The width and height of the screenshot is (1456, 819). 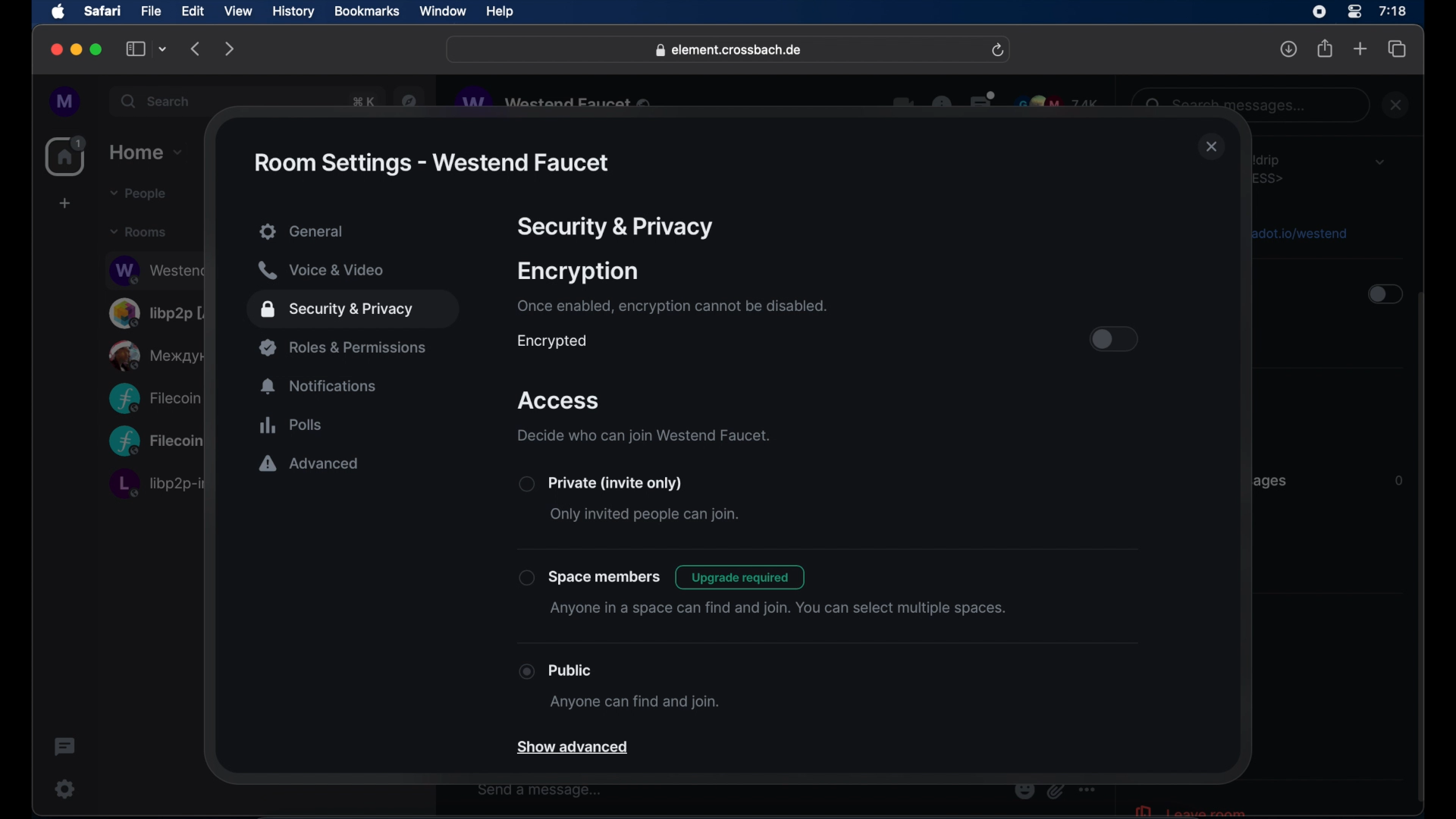 What do you see at coordinates (156, 442) in the screenshot?
I see `obscure` at bounding box center [156, 442].